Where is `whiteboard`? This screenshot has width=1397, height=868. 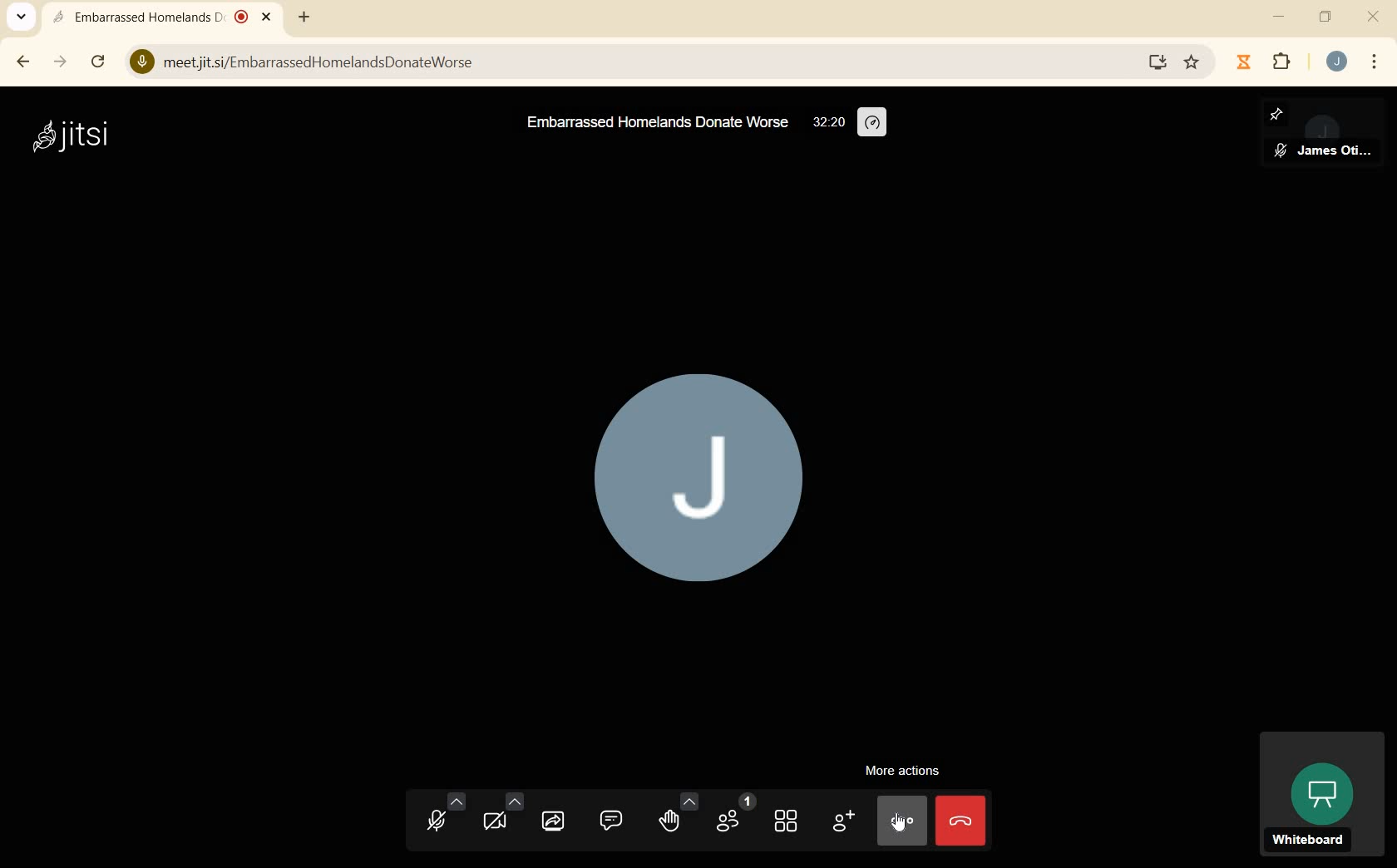 whiteboard is located at coordinates (1320, 795).